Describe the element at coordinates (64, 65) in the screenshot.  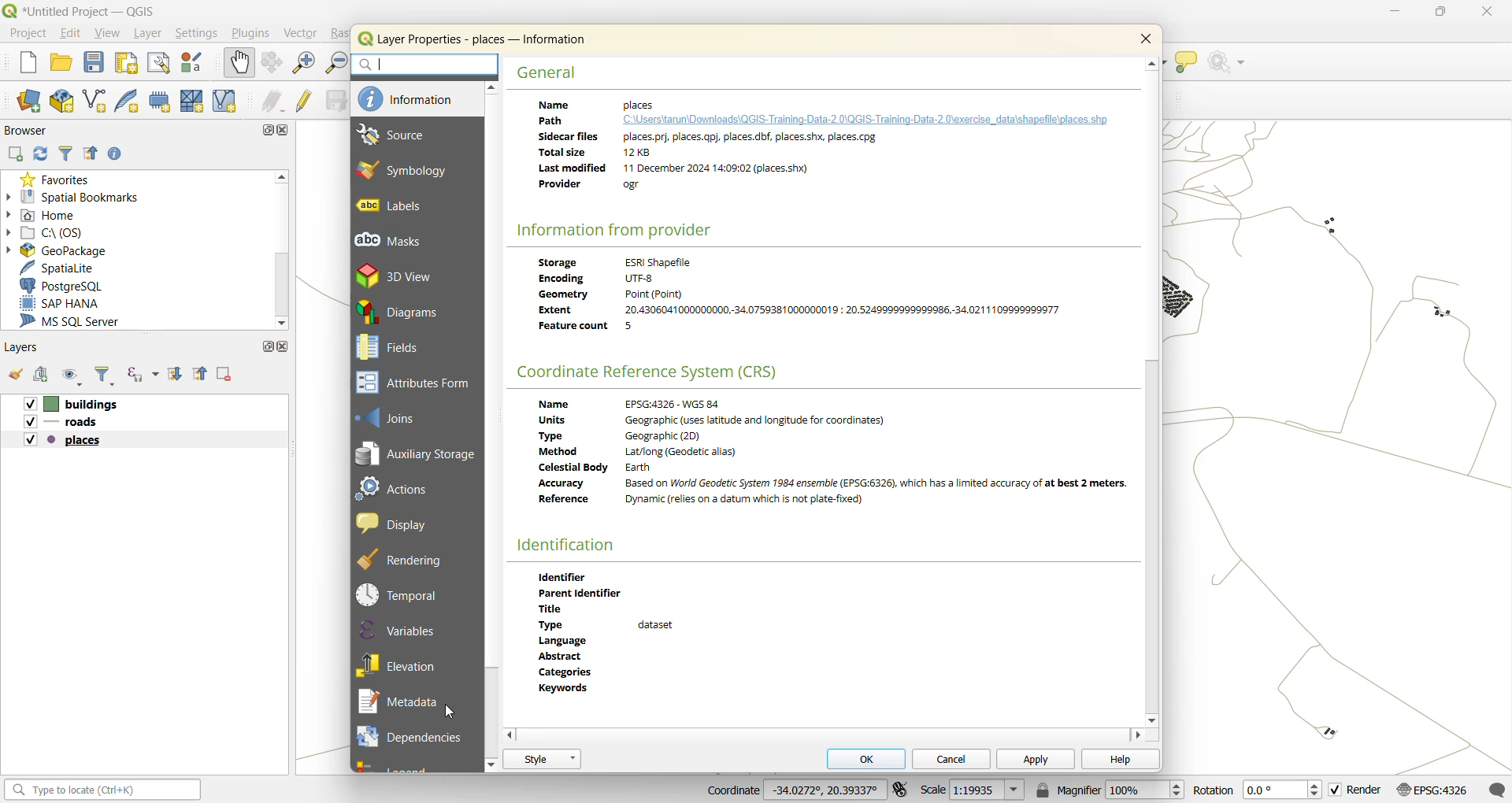
I see `open` at that location.